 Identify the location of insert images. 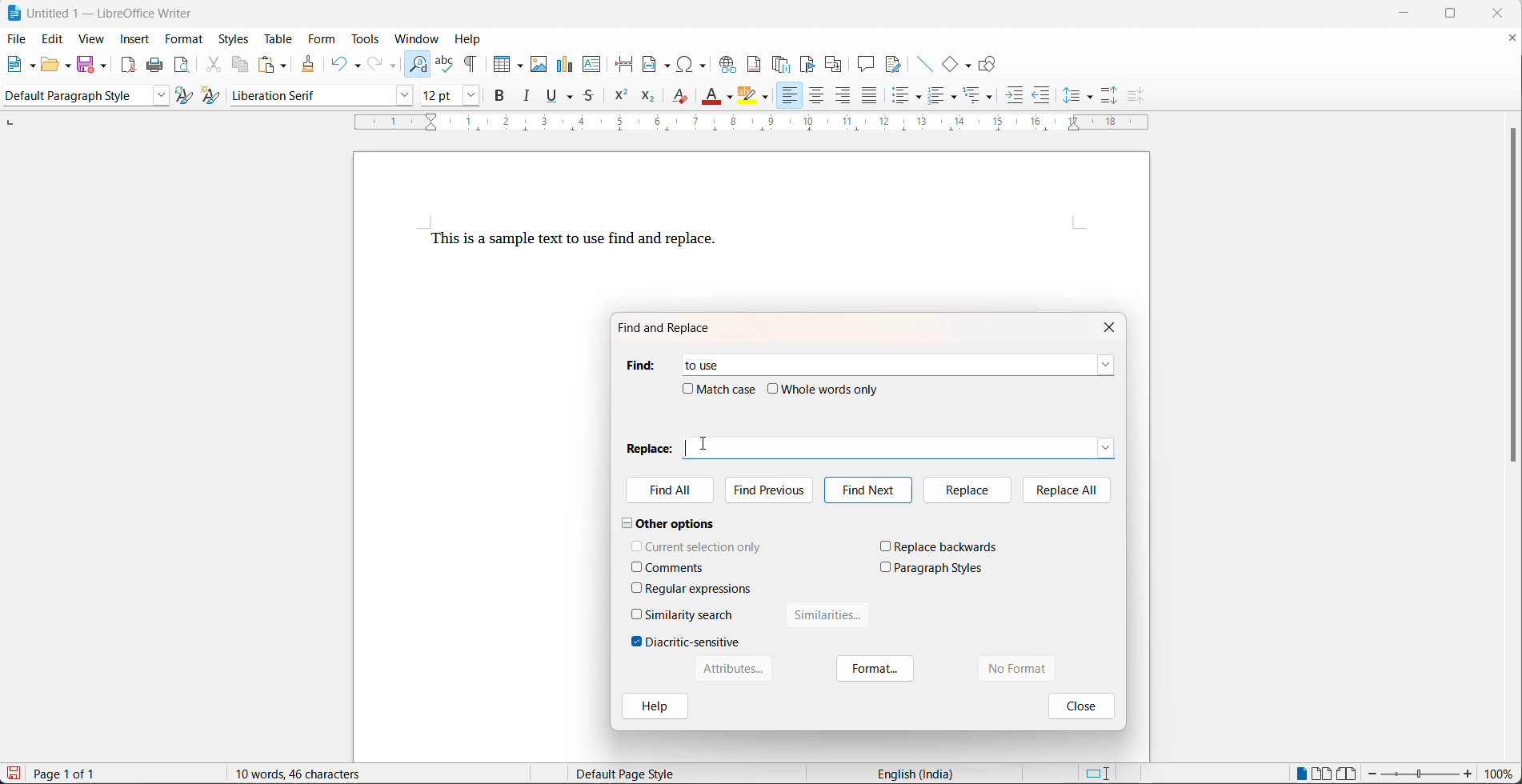
(540, 58).